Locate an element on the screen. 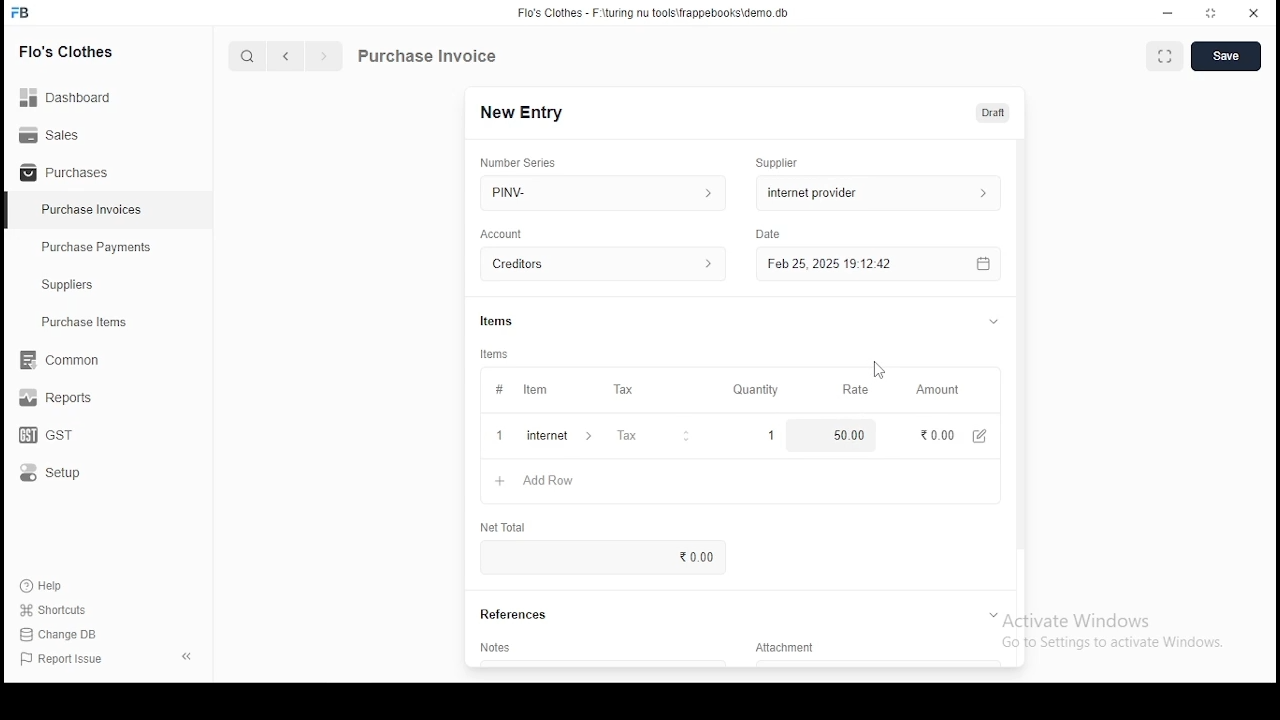 The width and height of the screenshot is (1280, 720). common is located at coordinates (65, 360).